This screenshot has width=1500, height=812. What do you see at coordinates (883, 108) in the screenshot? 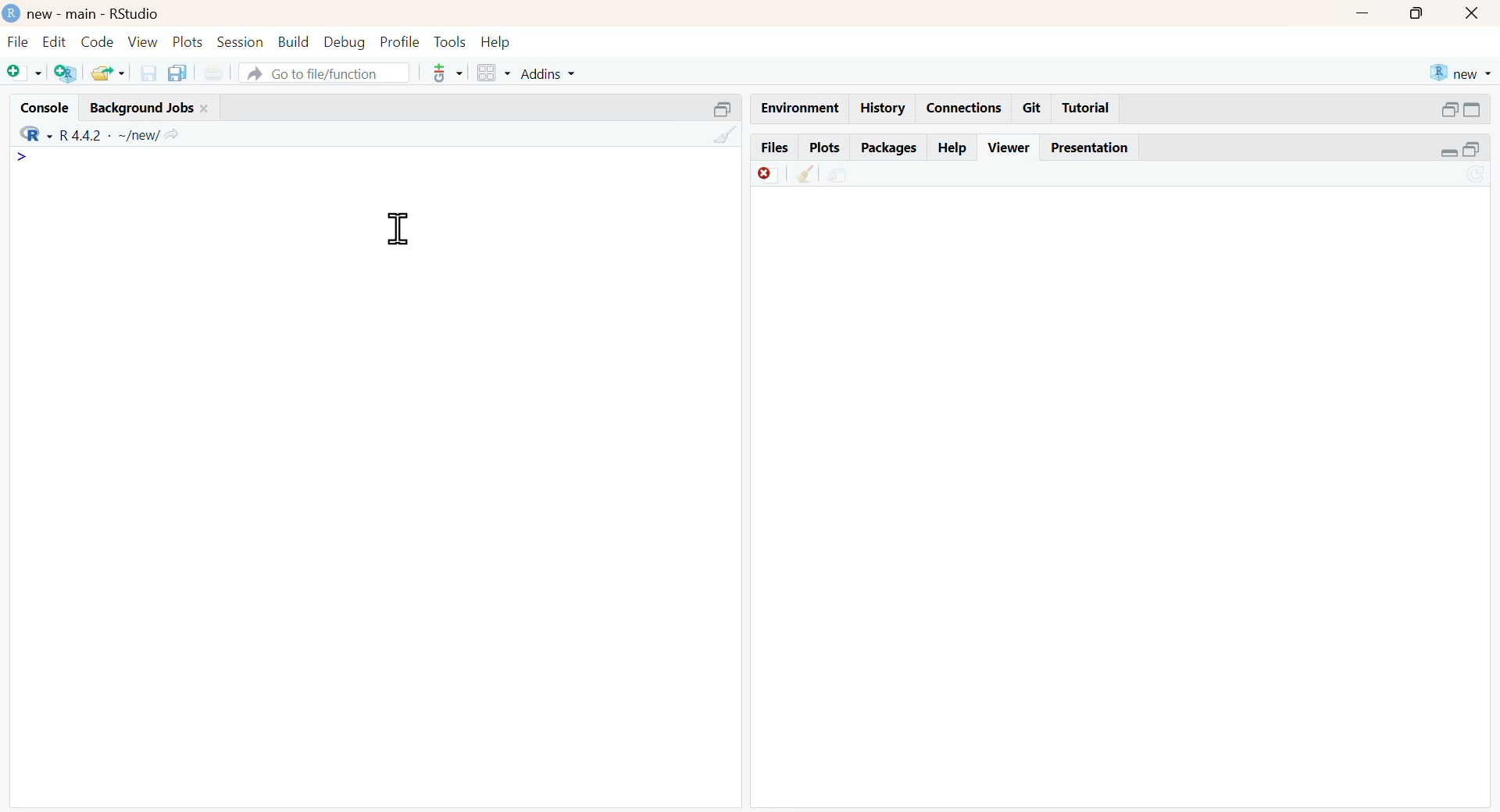
I see `History` at bounding box center [883, 108].